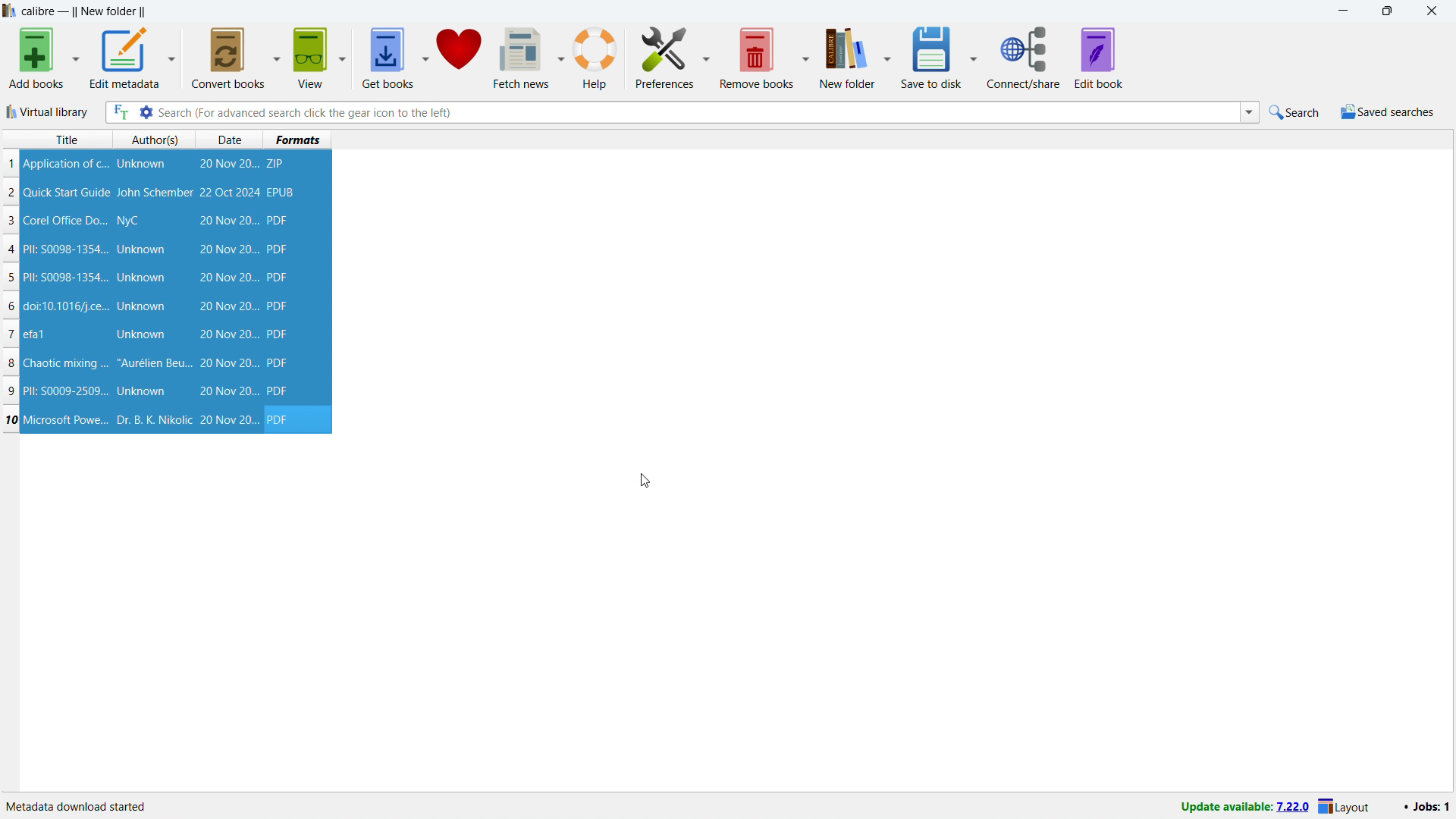 Image resolution: width=1456 pixels, height=819 pixels. What do you see at coordinates (1386, 11) in the screenshot?
I see `maximize` at bounding box center [1386, 11].